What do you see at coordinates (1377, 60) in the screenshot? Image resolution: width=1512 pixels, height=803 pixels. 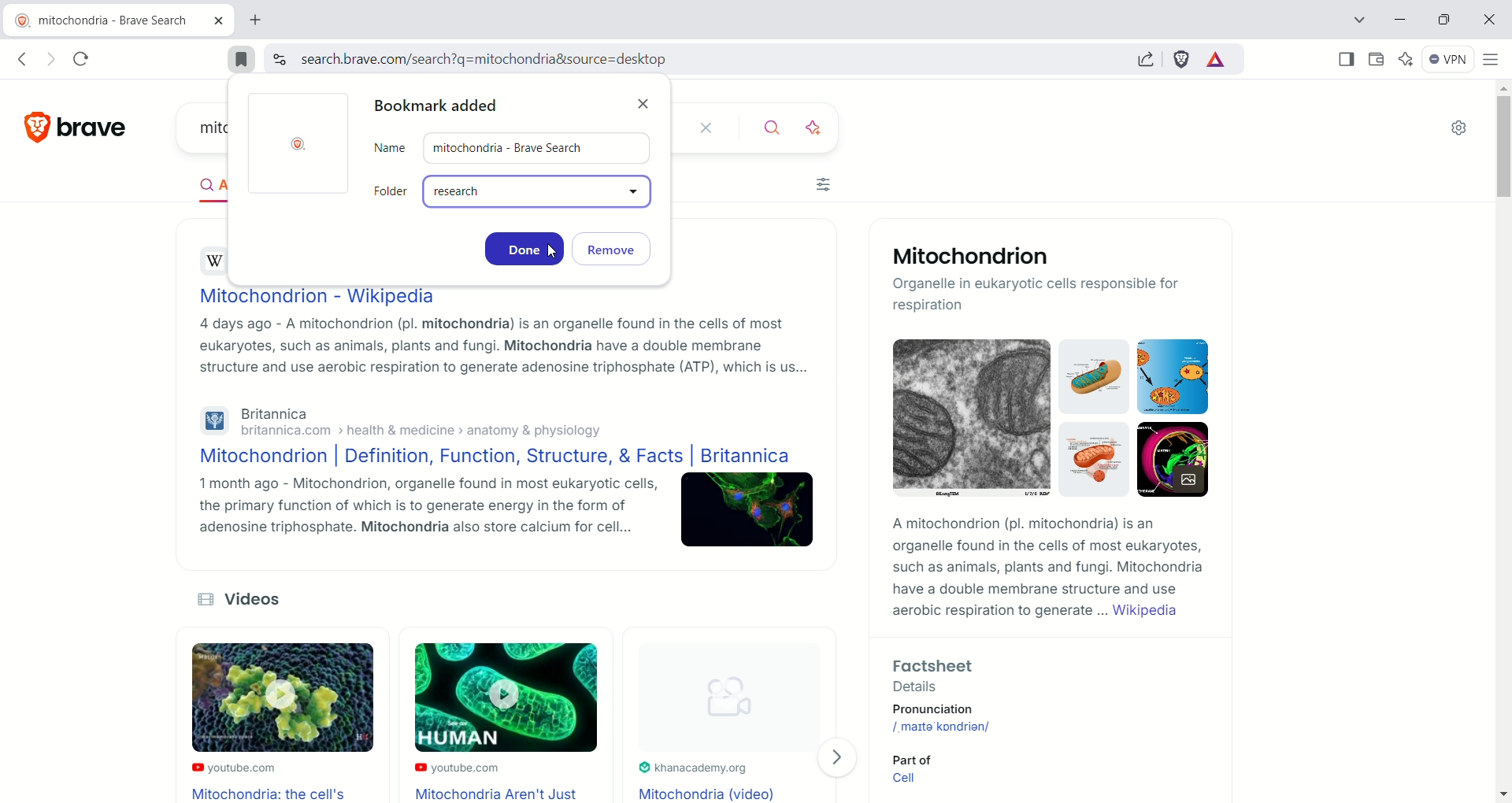 I see `wallet` at bounding box center [1377, 60].